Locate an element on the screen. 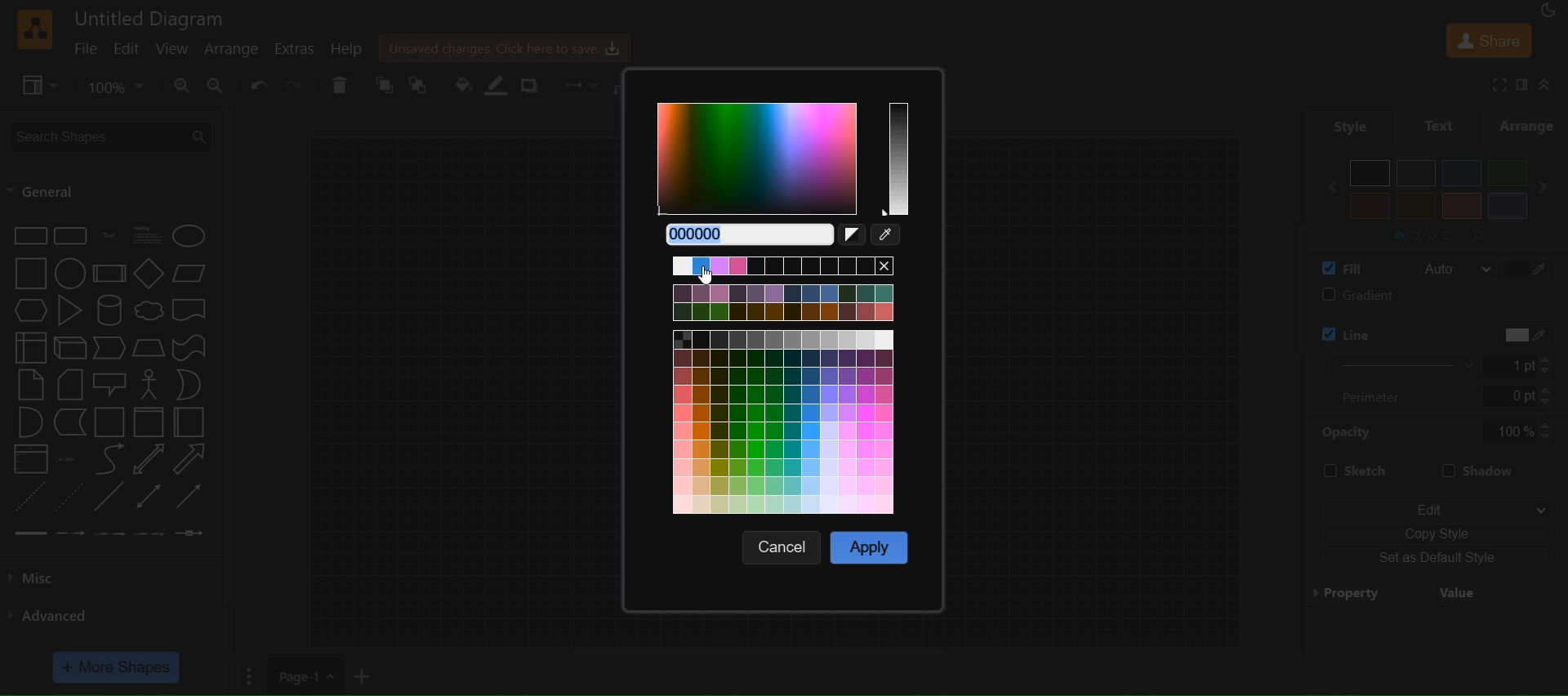 This screenshot has height=696, width=1568. line is located at coordinates (109, 498).